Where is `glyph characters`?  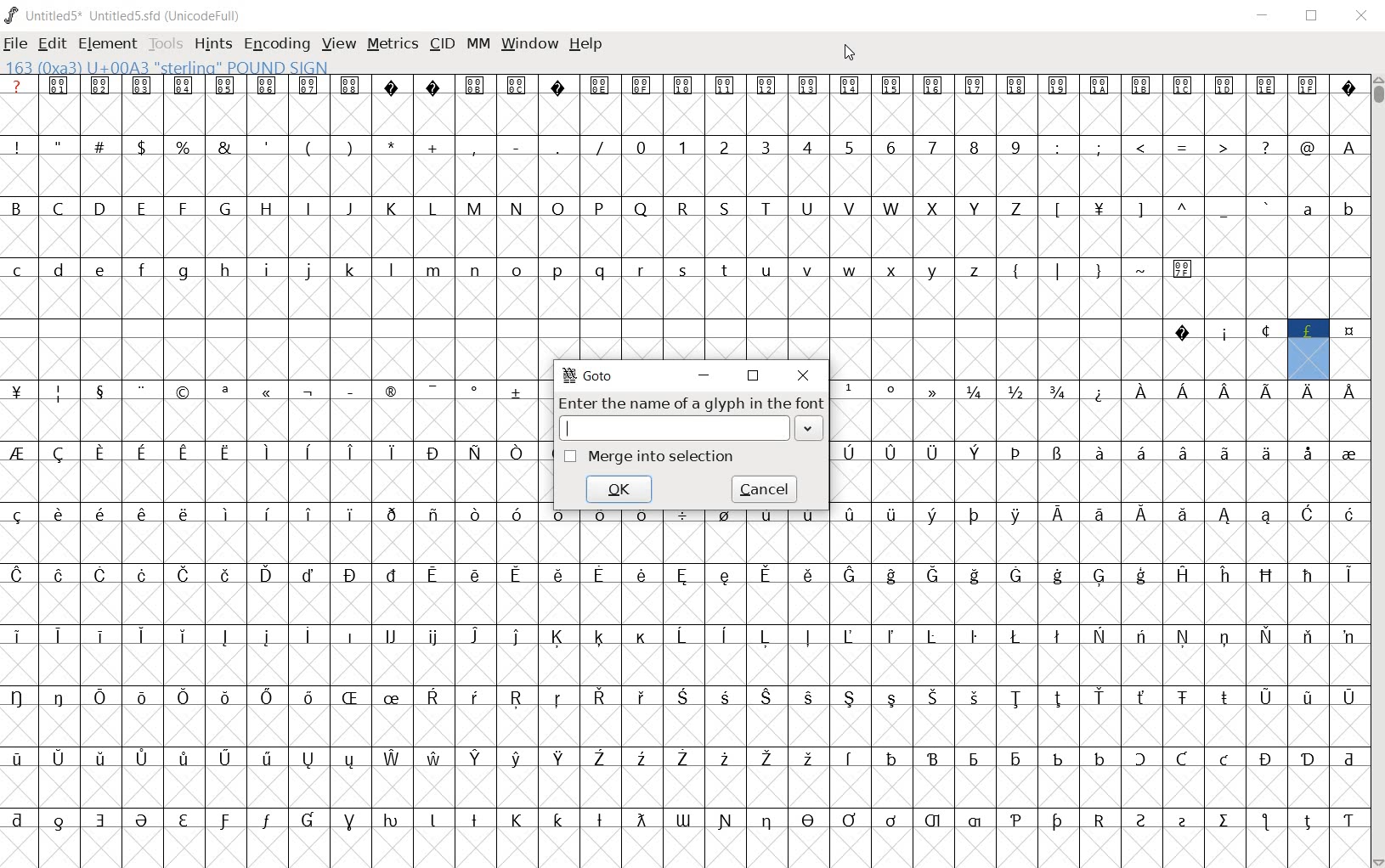
glyph characters is located at coordinates (953, 695).